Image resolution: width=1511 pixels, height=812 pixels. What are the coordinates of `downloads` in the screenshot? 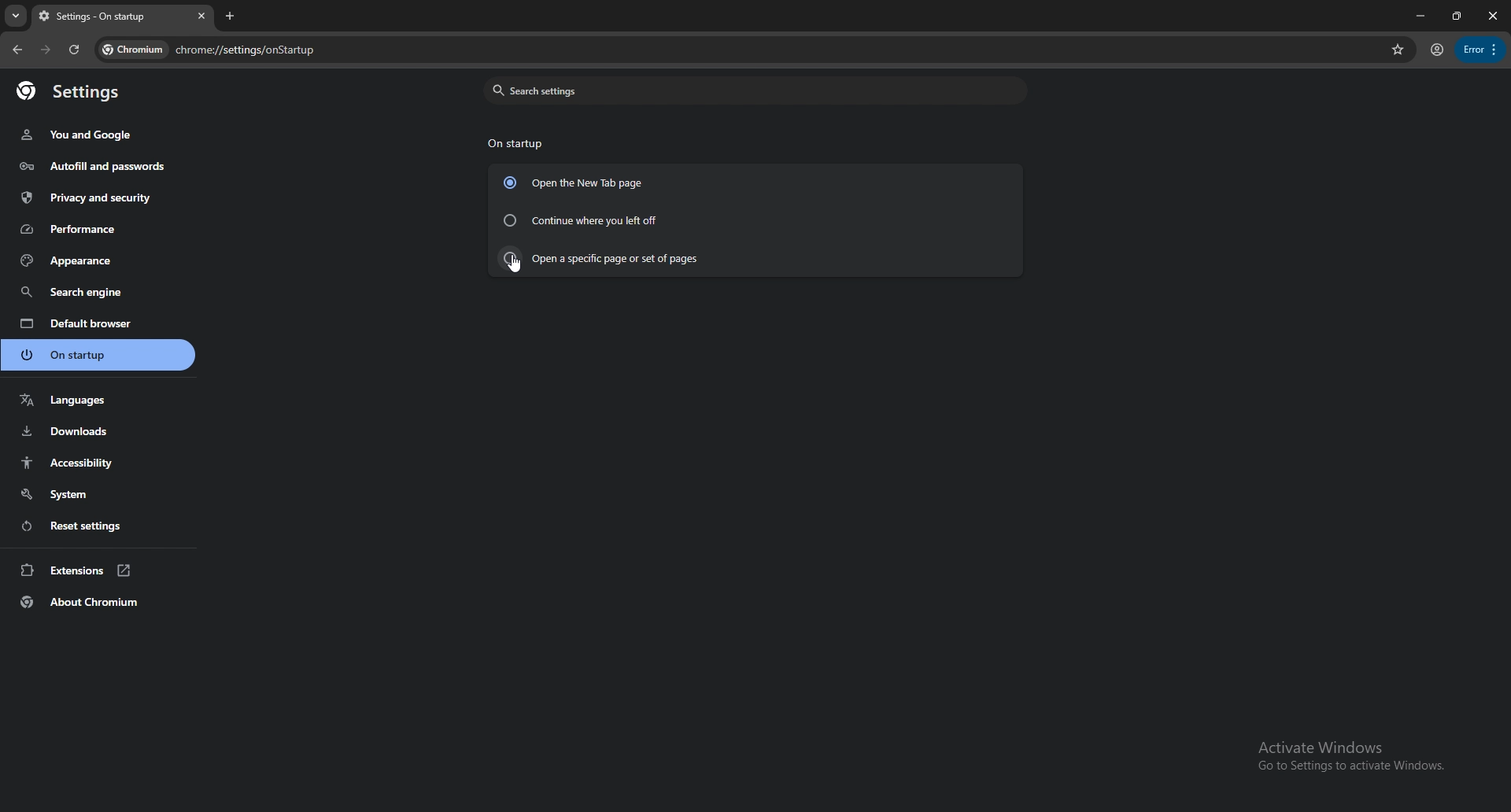 It's located at (97, 431).